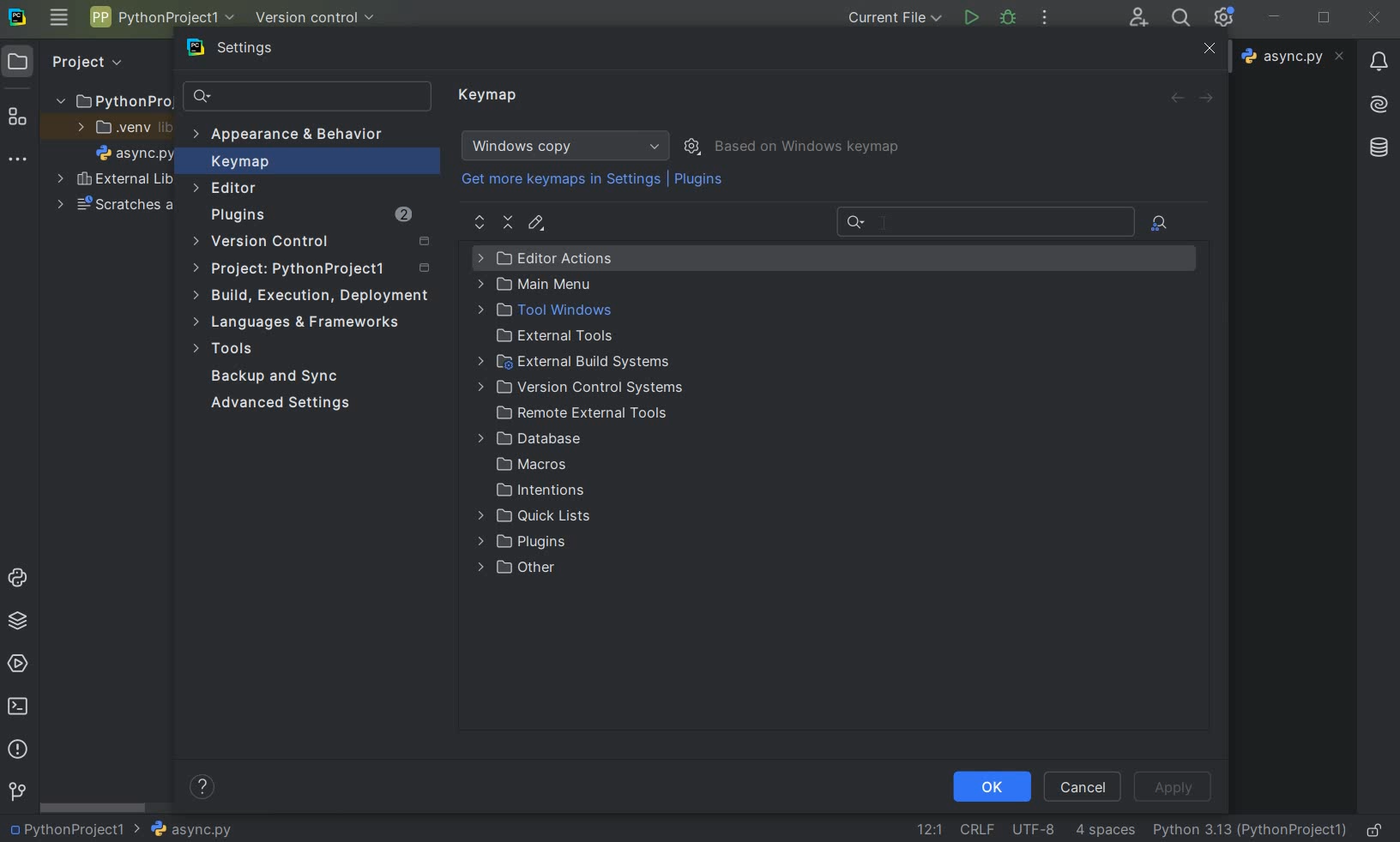  Describe the element at coordinates (58, 17) in the screenshot. I see `main menu` at that location.